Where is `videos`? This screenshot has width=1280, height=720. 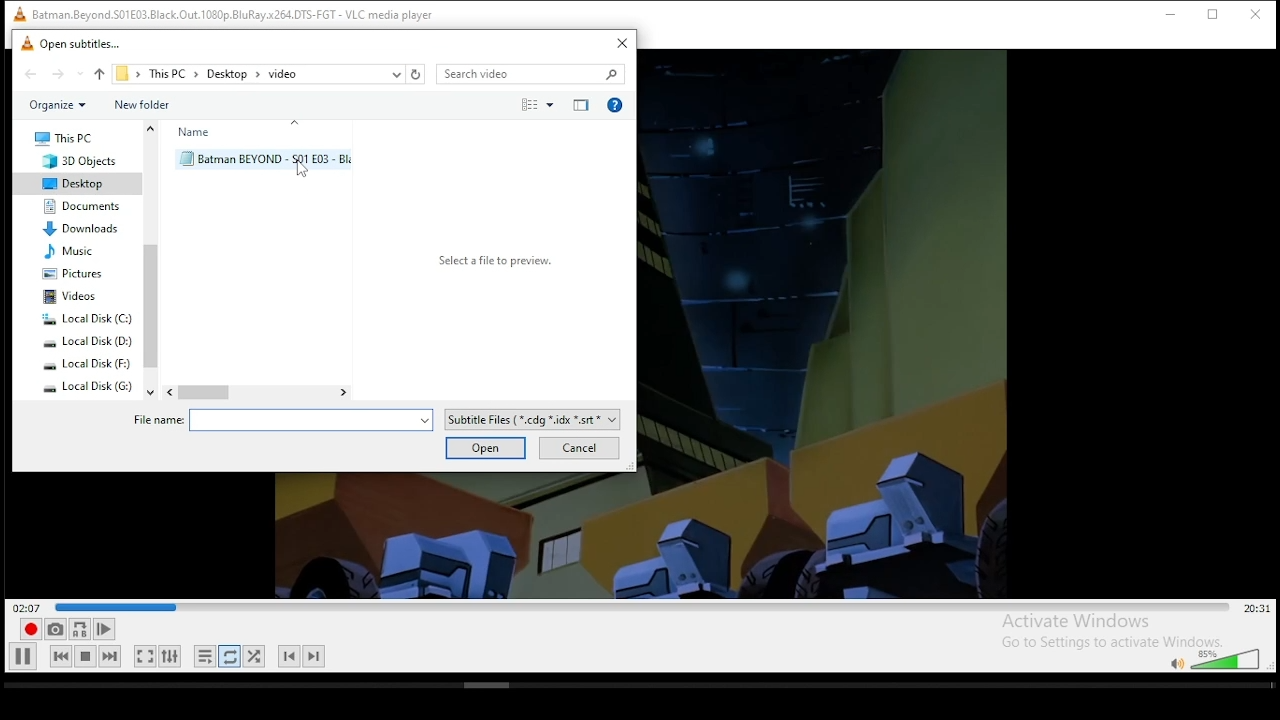 videos is located at coordinates (70, 296).